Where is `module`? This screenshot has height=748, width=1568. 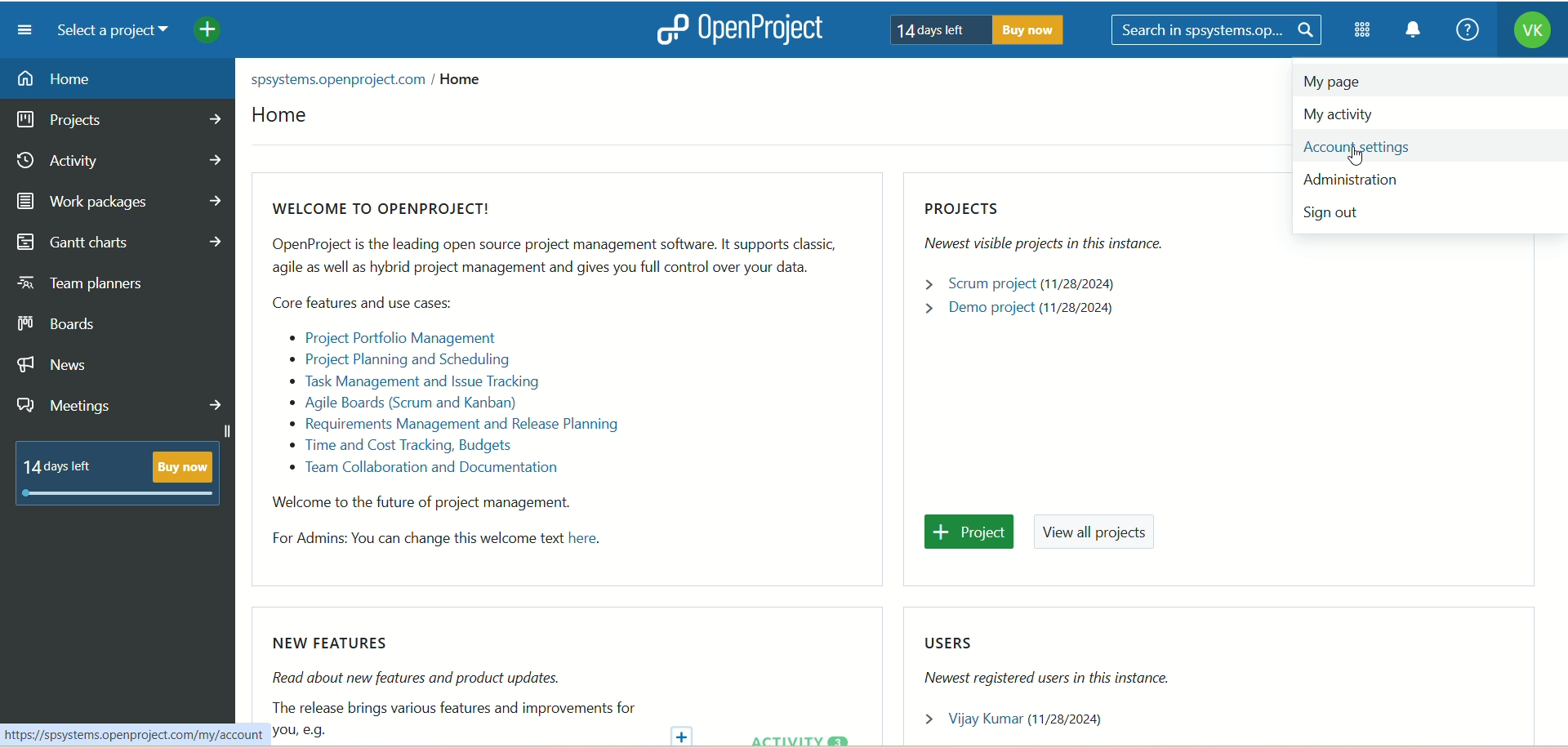
module is located at coordinates (1365, 30).